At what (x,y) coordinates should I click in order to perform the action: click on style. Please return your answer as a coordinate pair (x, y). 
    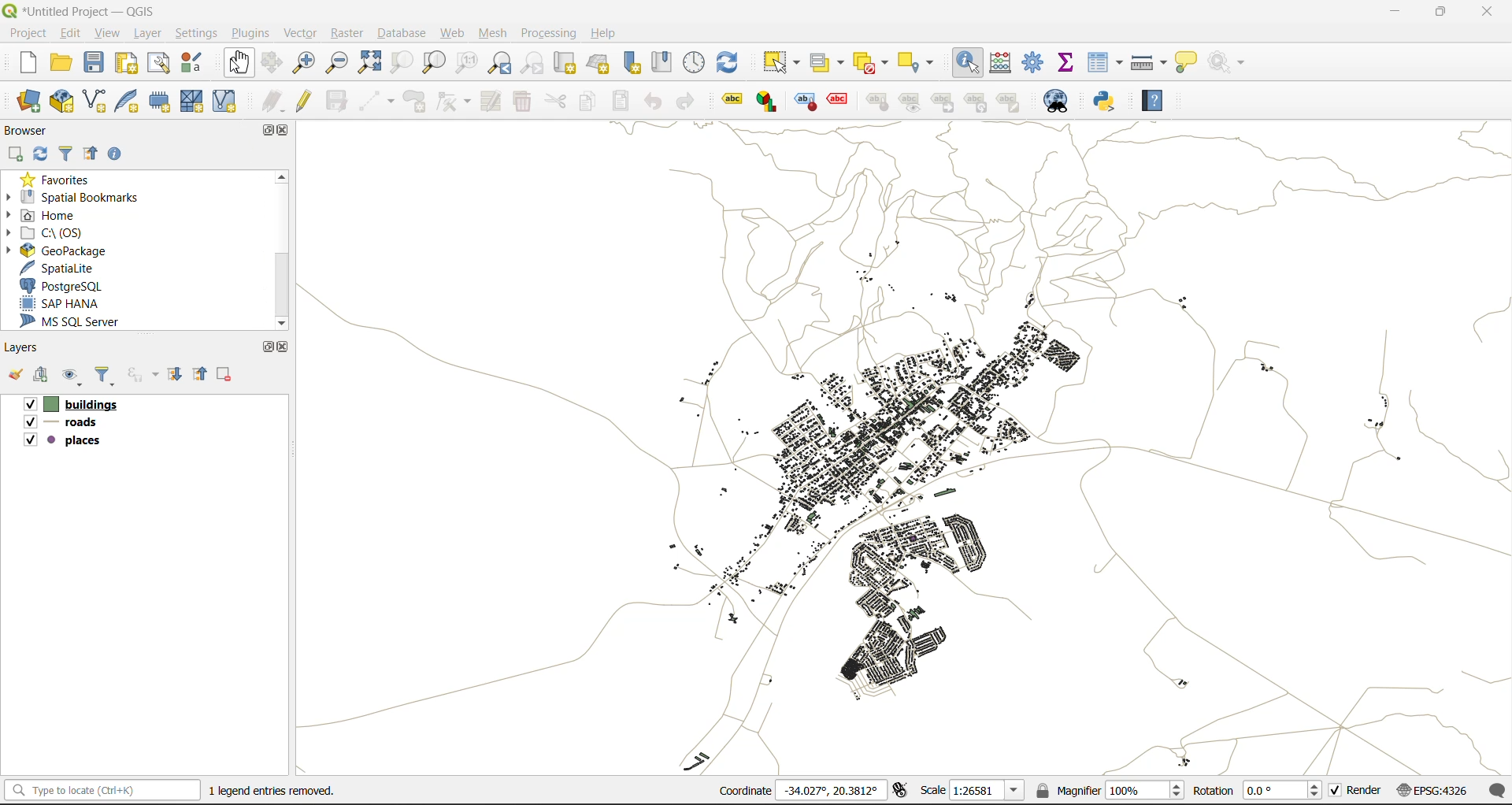
    Looking at the image, I should click on (880, 101).